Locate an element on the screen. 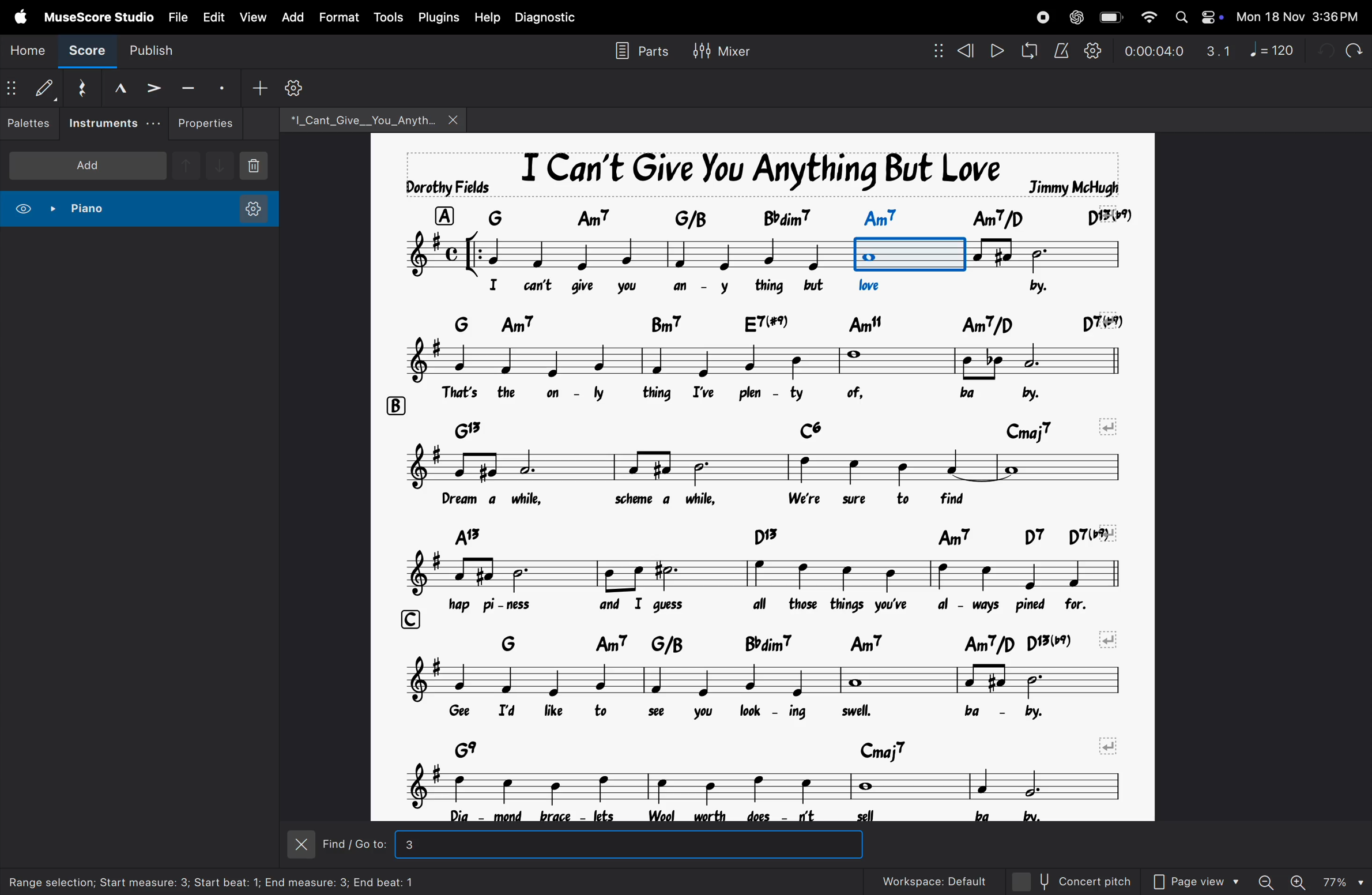 The image size is (1372, 895). row is located at coordinates (395, 405).